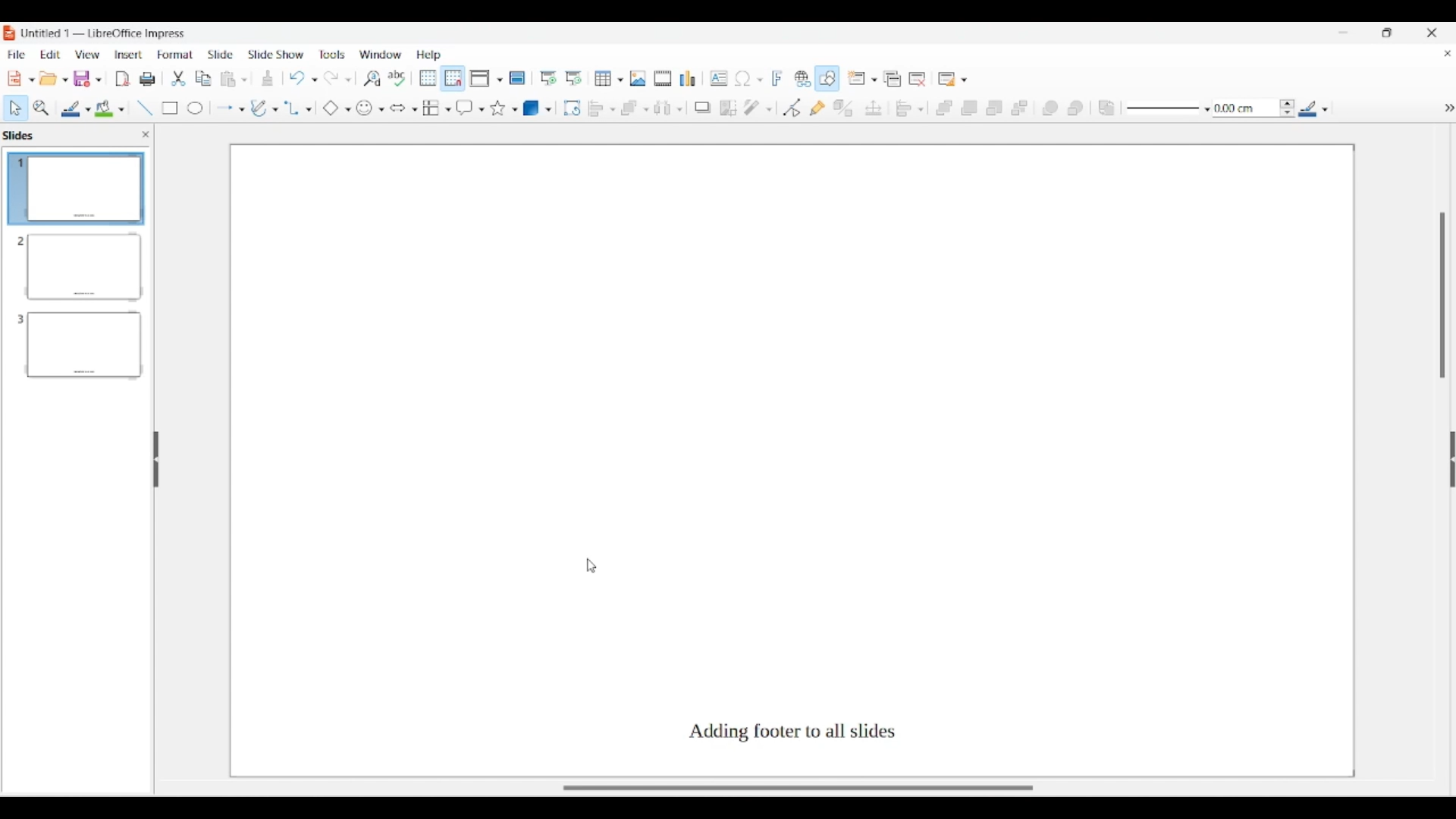  Describe the element at coordinates (687, 78) in the screenshot. I see `Insert chart` at that location.